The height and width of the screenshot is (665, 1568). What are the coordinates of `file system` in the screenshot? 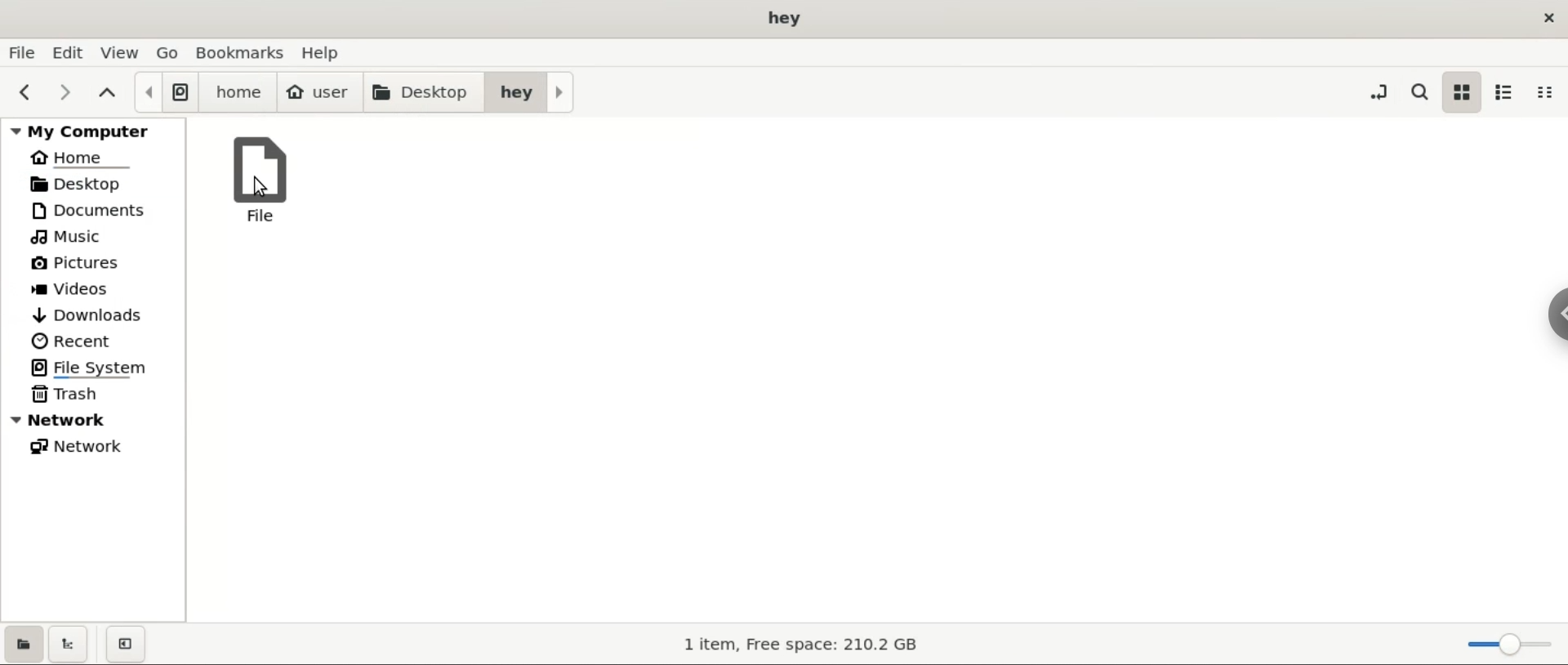 It's located at (167, 92).